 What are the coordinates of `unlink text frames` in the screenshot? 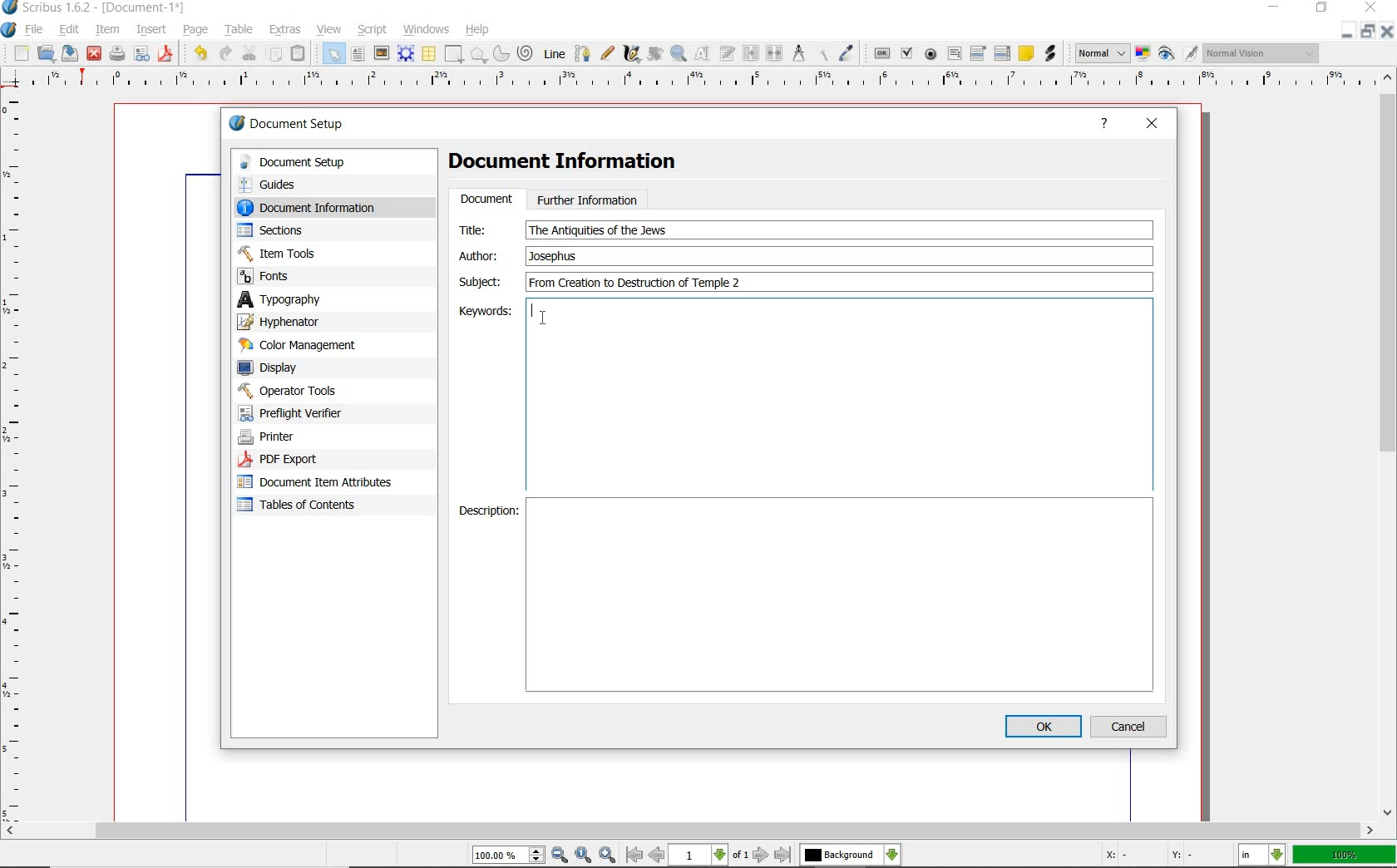 It's located at (775, 52).